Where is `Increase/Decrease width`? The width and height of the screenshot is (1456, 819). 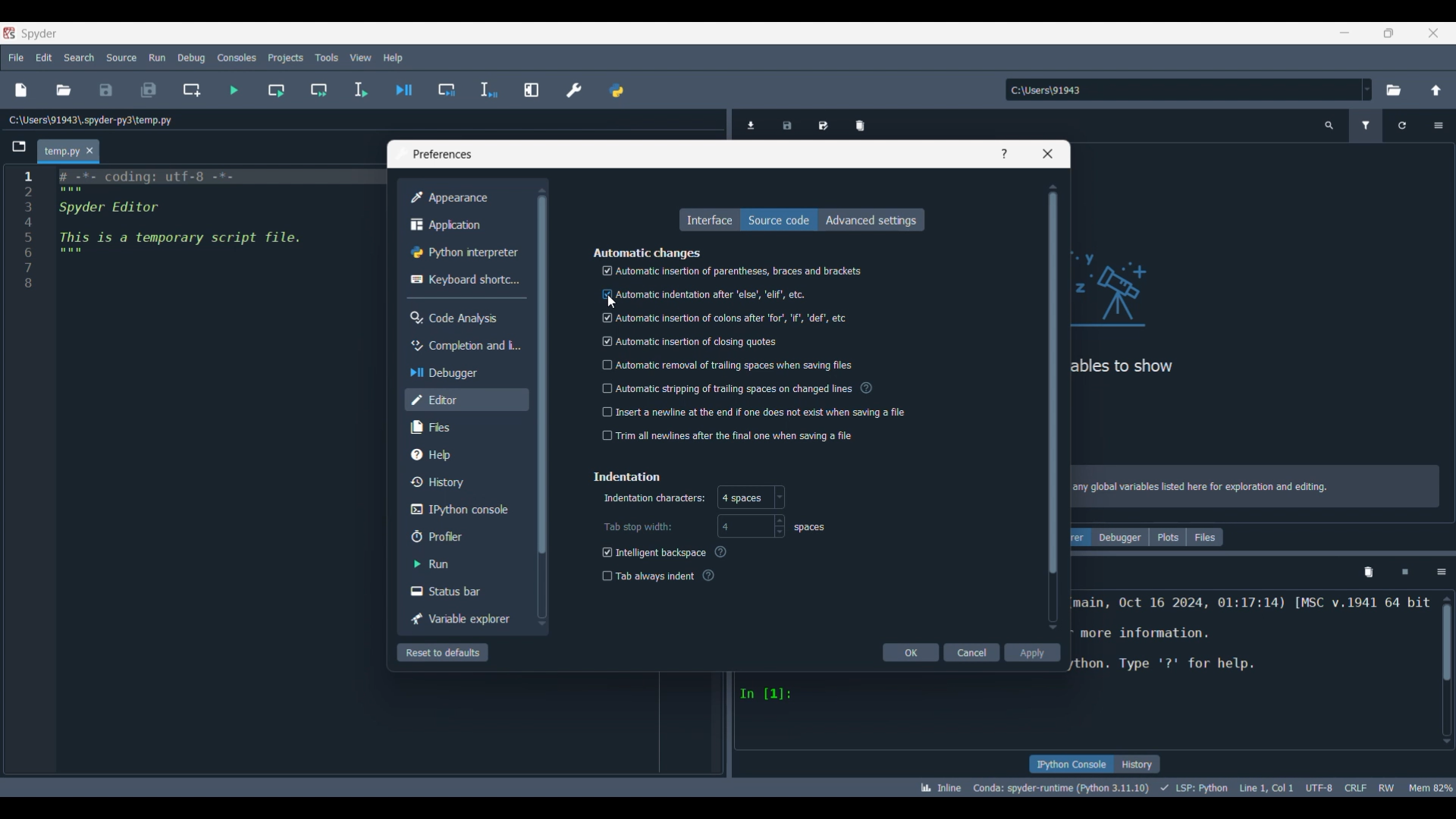
Increase/Decrease width is located at coordinates (779, 526).